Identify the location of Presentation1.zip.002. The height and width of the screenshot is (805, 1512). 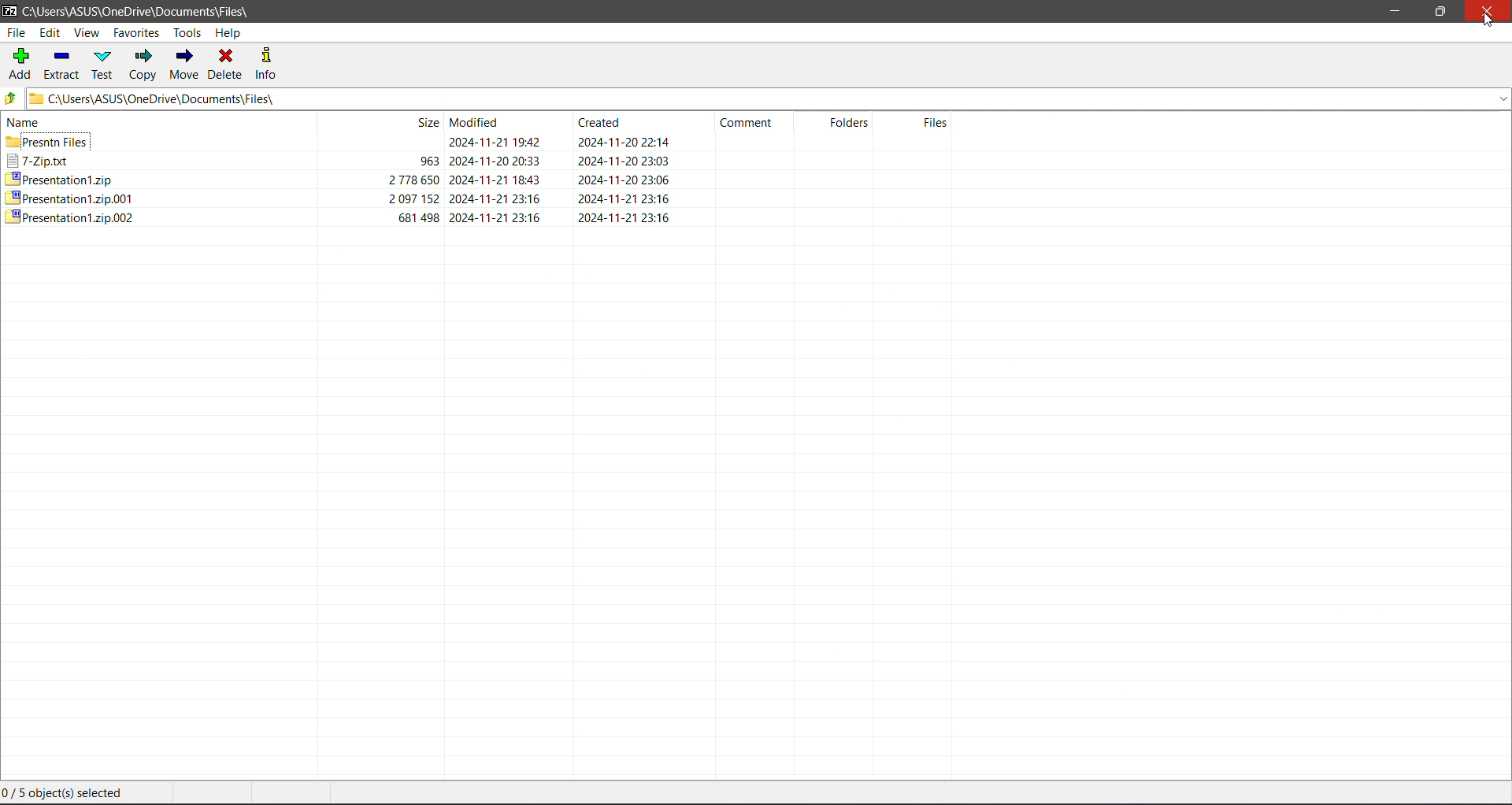
(69, 216).